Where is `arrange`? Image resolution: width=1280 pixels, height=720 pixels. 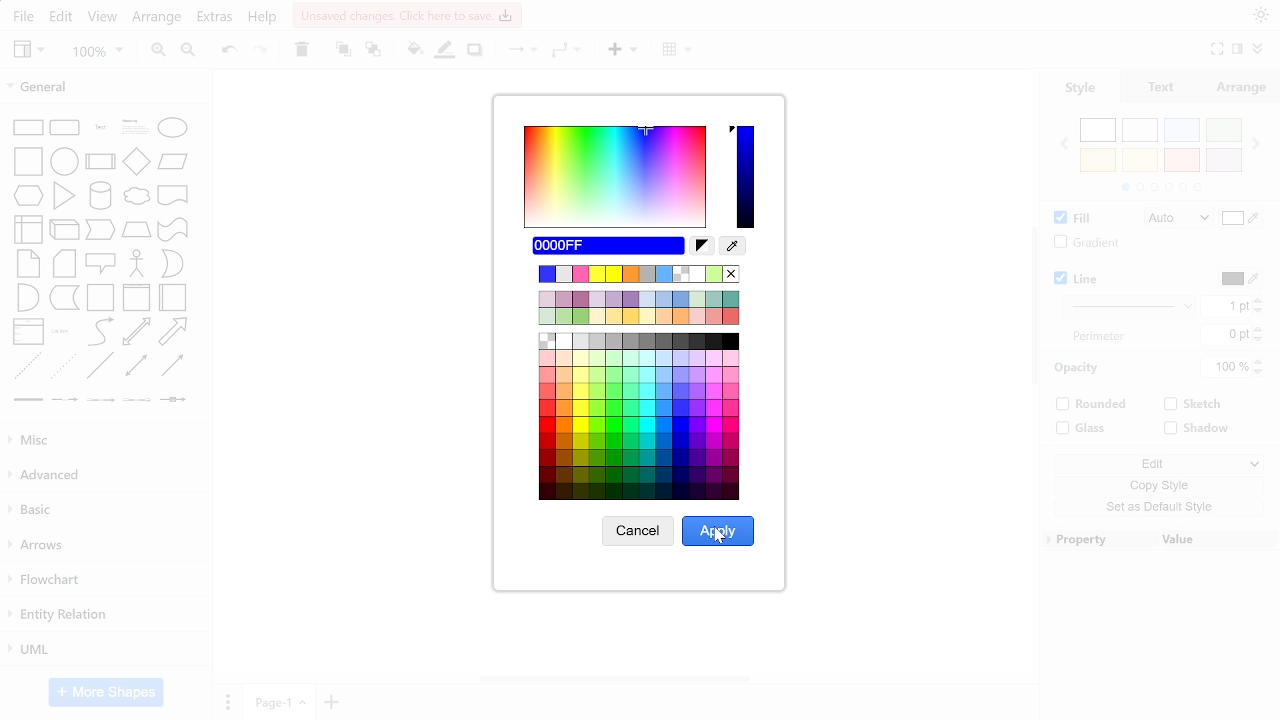 arrange is located at coordinates (1242, 87).